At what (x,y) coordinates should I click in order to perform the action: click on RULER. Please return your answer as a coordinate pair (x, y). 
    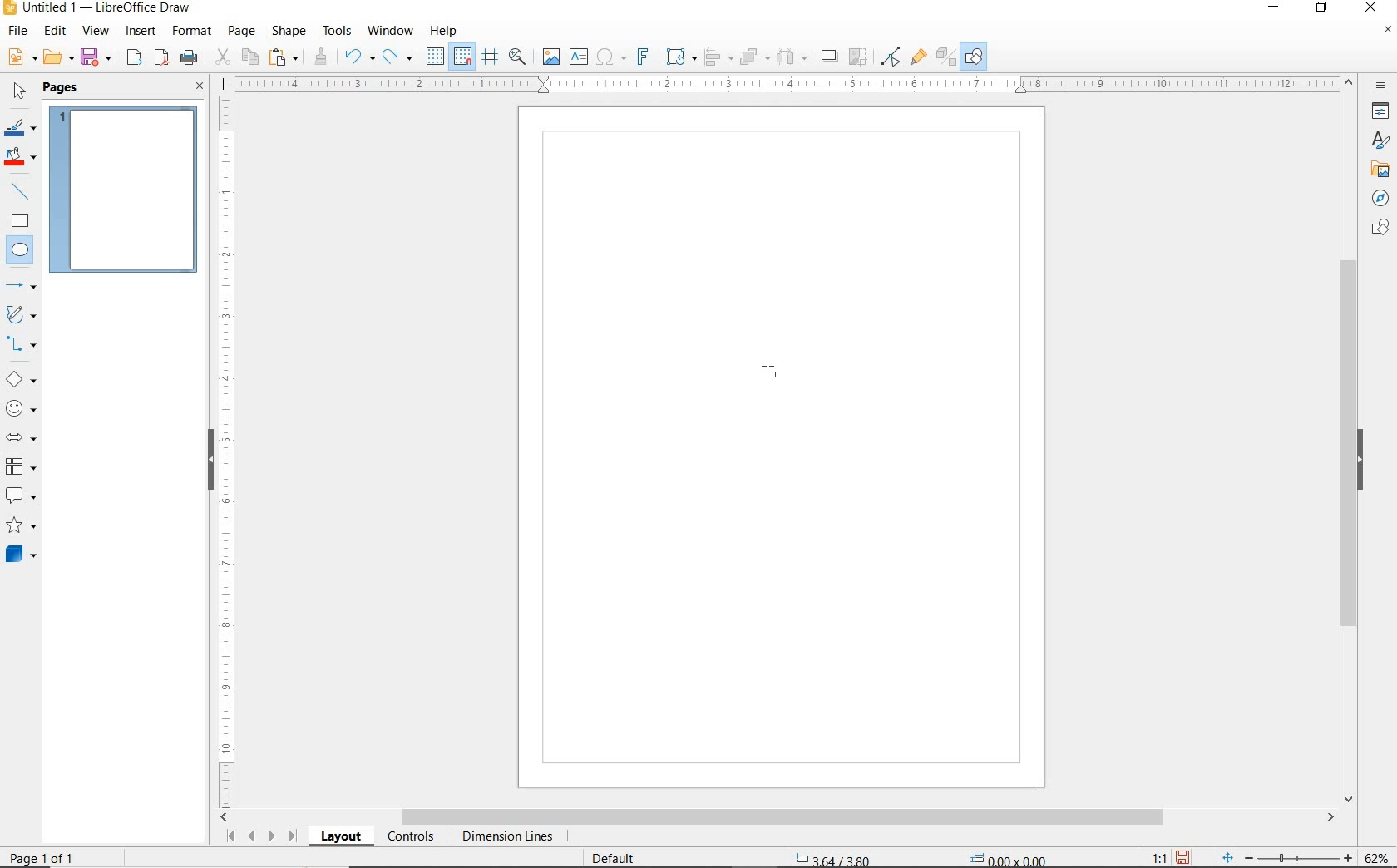
    Looking at the image, I should click on (228, 450).